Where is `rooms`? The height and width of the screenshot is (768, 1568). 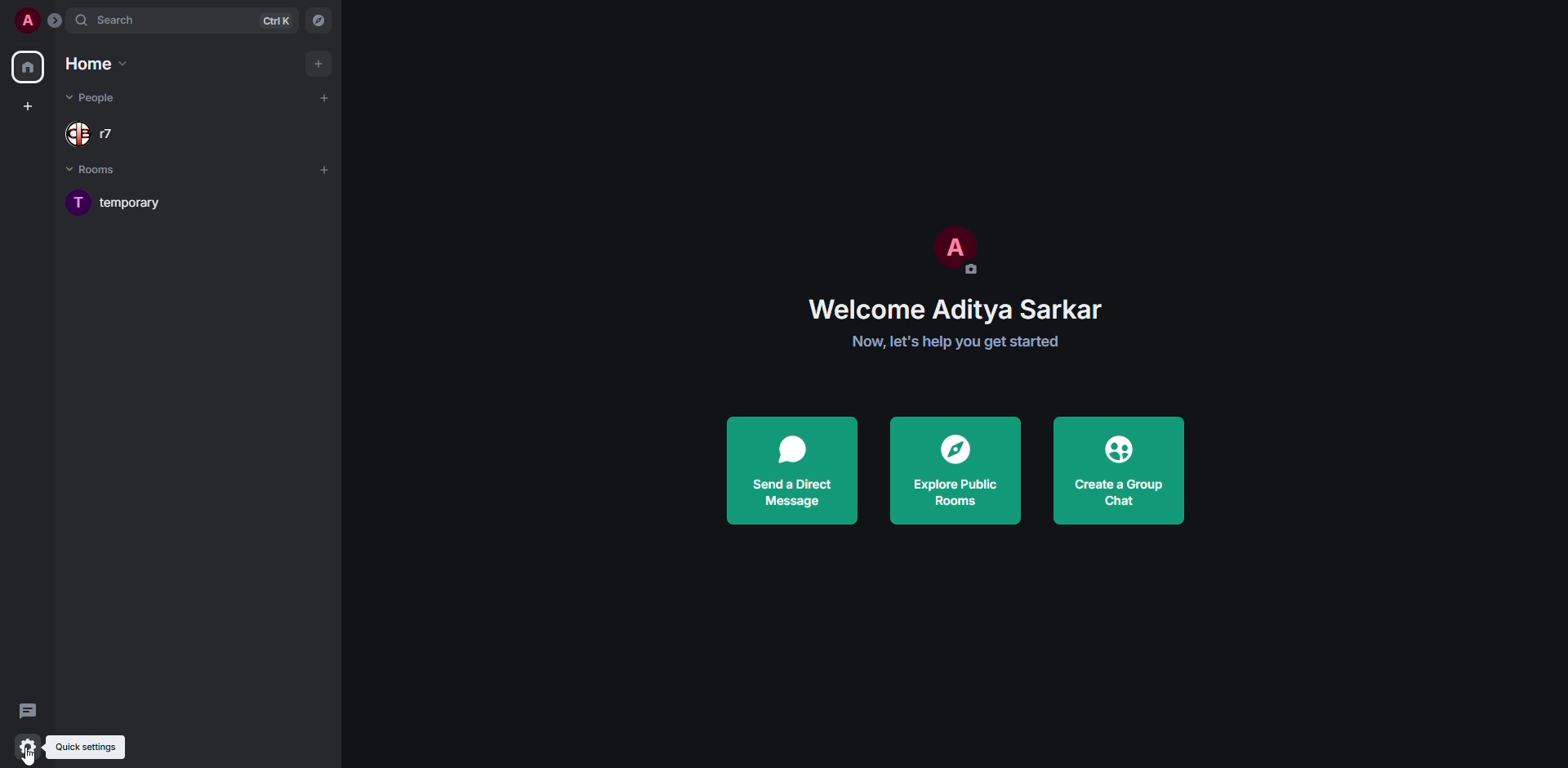 rooms is located at coordinates (98, 171).